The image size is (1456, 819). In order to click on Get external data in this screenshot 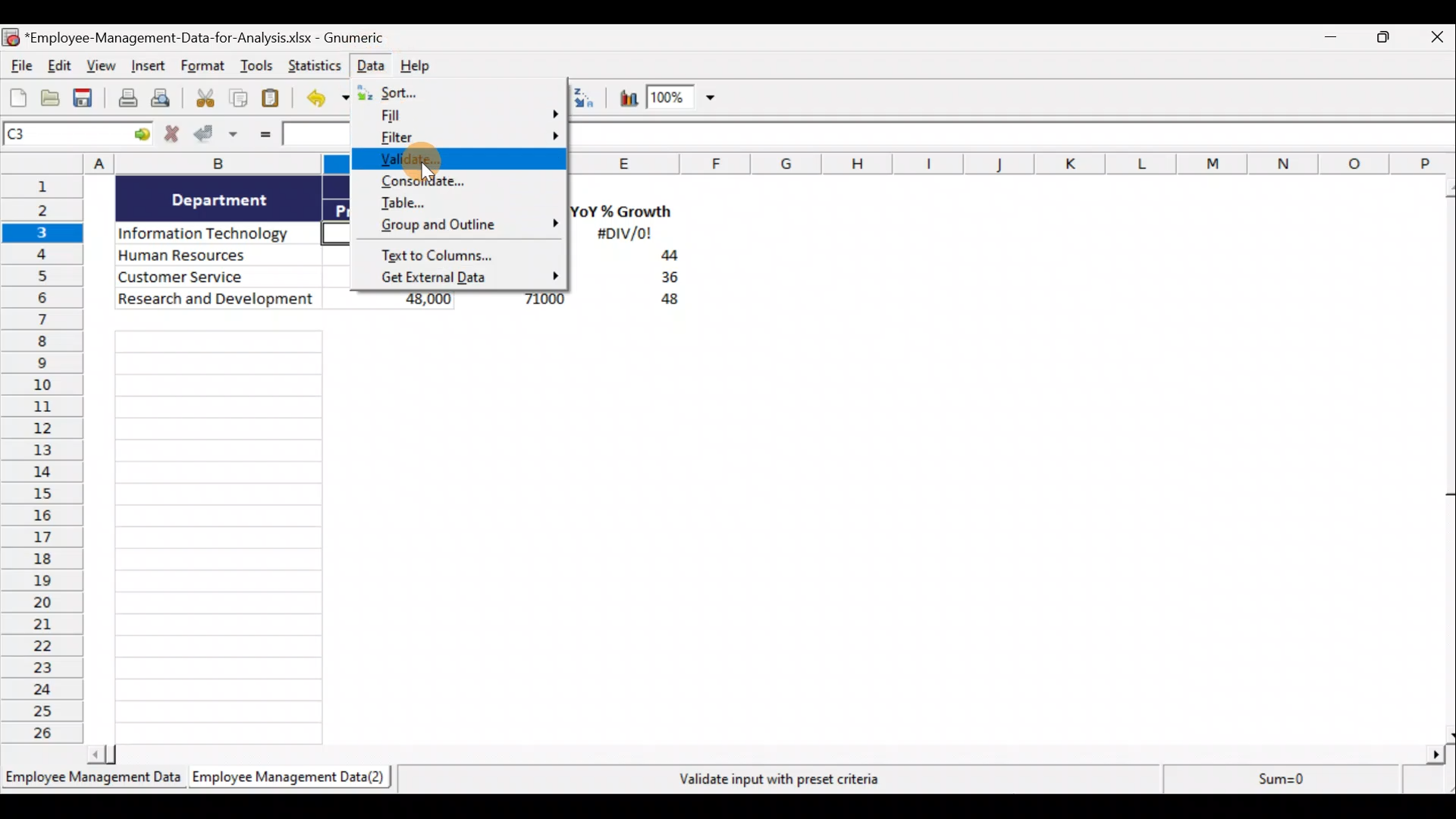, I will do `click(460, 278)`.